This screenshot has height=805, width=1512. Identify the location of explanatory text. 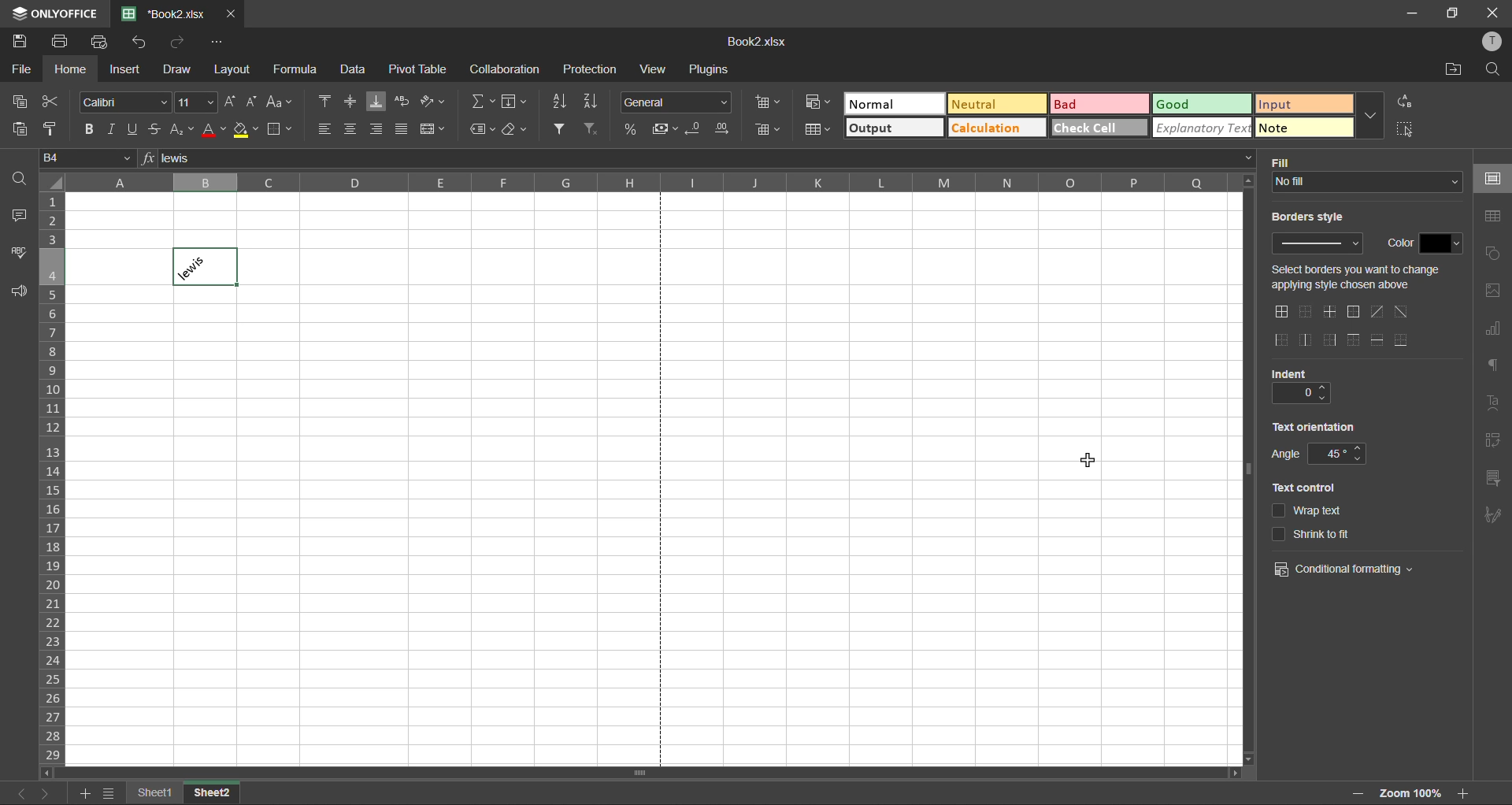
(1203, 129).